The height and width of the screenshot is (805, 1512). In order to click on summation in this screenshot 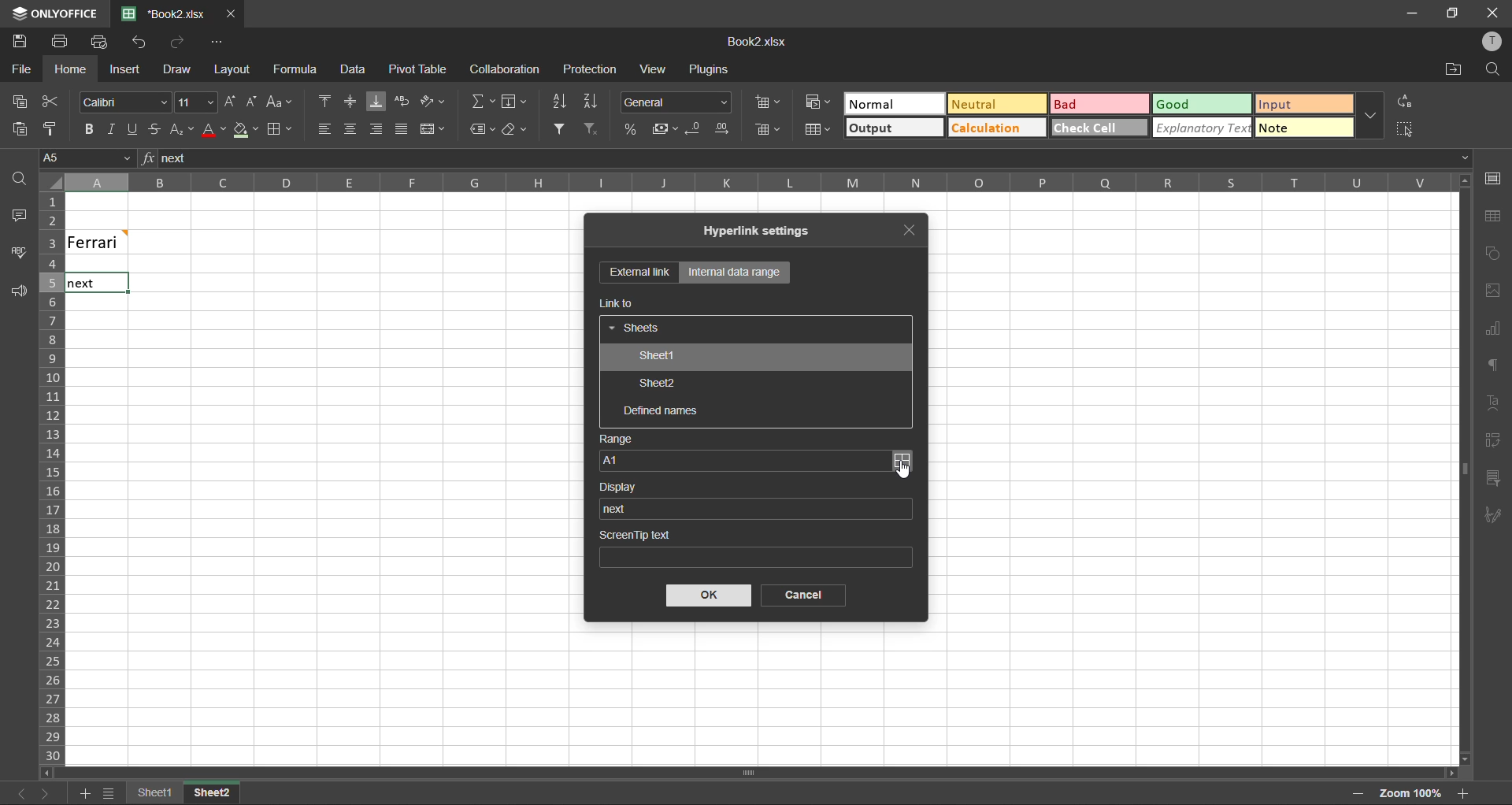, I will do `click(482, 101)`.